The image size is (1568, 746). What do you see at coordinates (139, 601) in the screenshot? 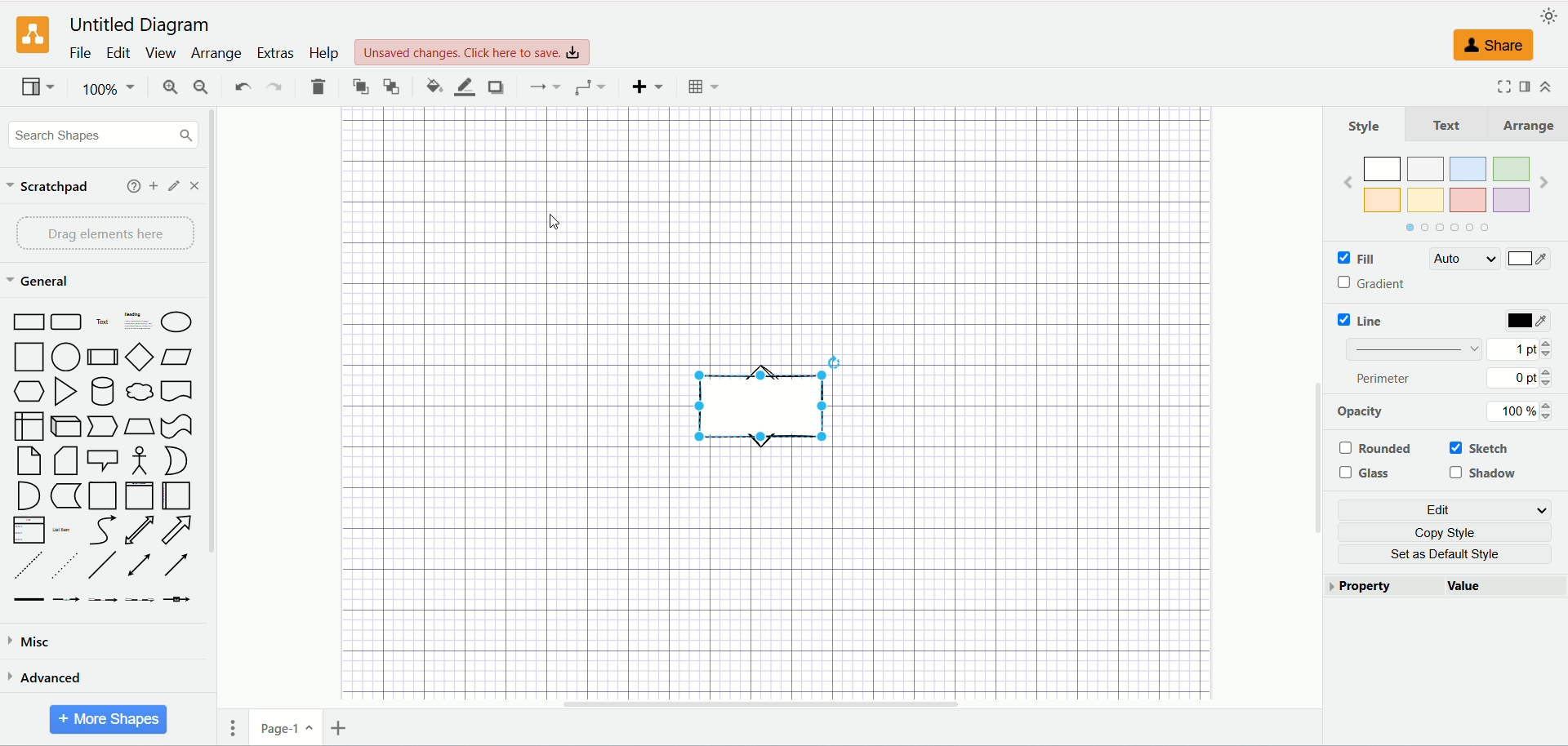
I see `Connector with 3 label` at bounding box center [139, 601].